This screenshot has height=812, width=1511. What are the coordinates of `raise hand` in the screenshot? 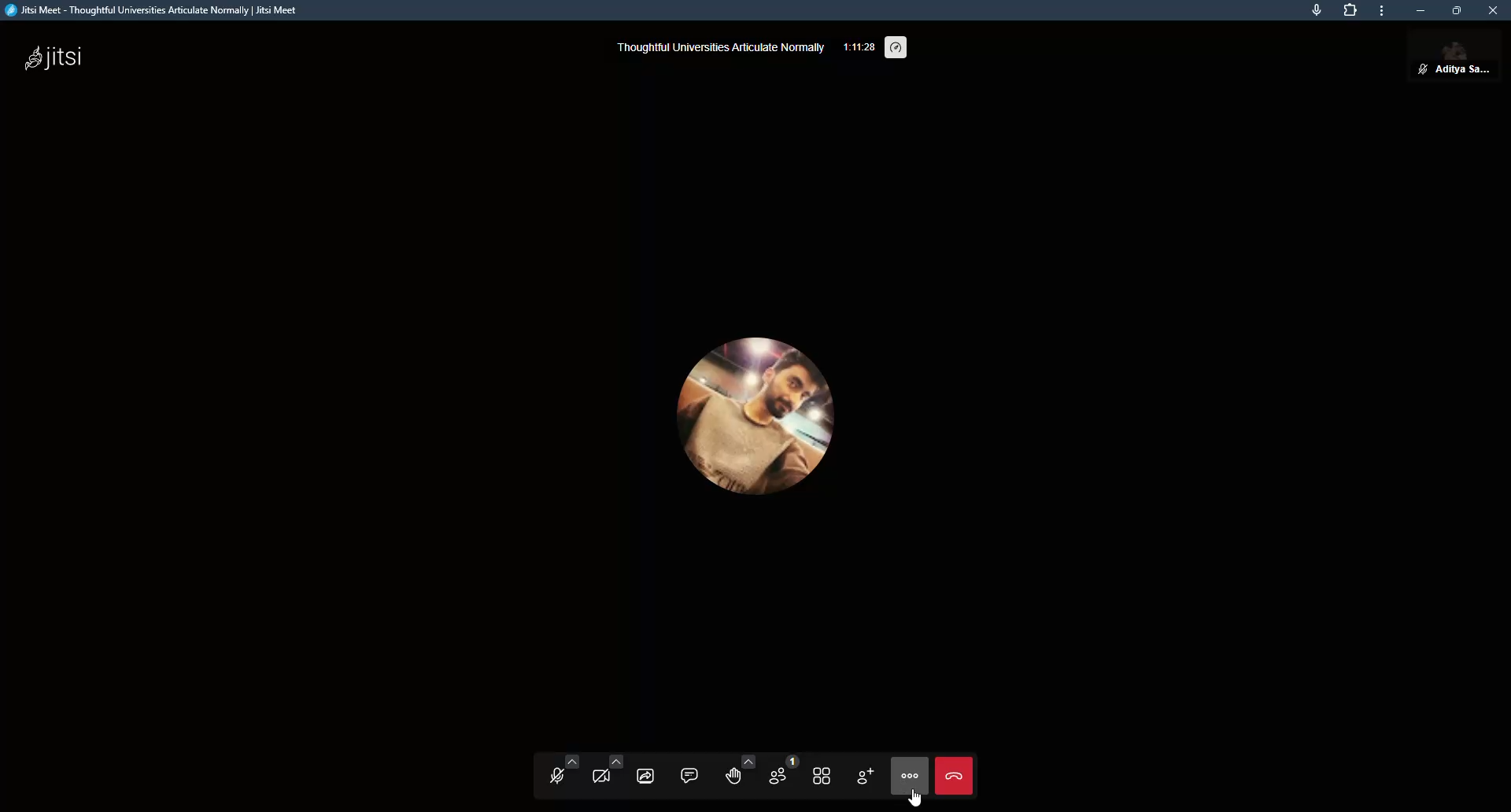 It's located at (737, 773).